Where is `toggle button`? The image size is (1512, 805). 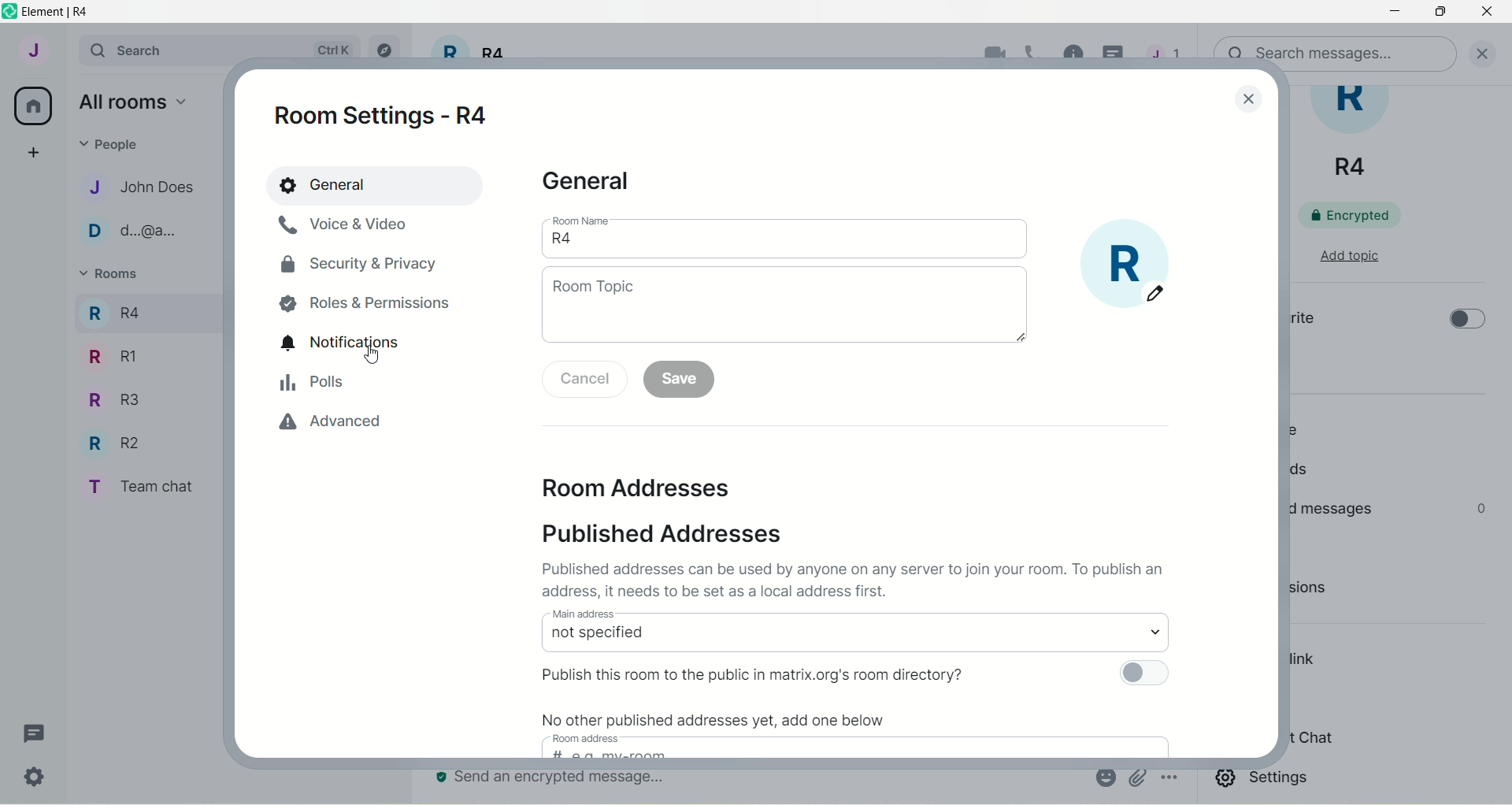
toggle button is located at coordinates (1466, 321).